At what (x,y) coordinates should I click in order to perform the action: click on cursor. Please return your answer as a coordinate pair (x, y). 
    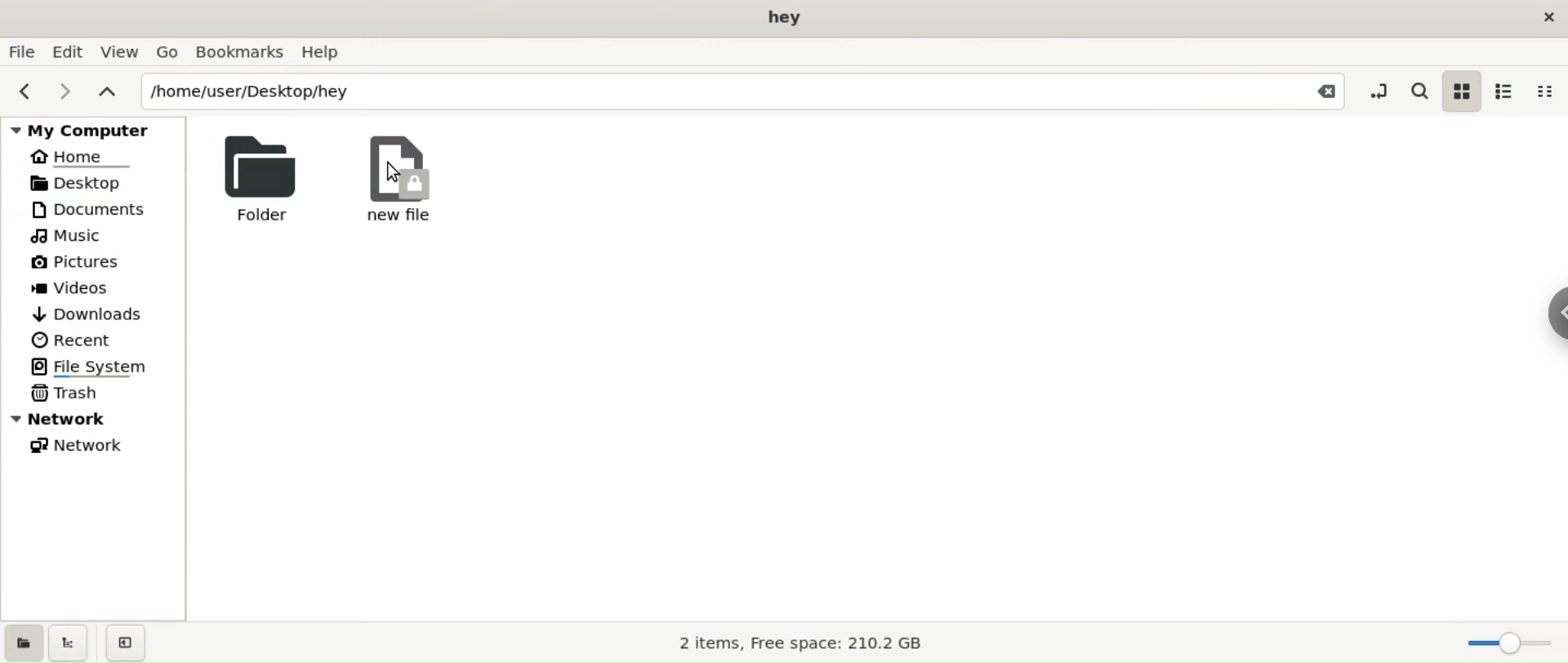
    Looking at the image, I should click on (395, 172).